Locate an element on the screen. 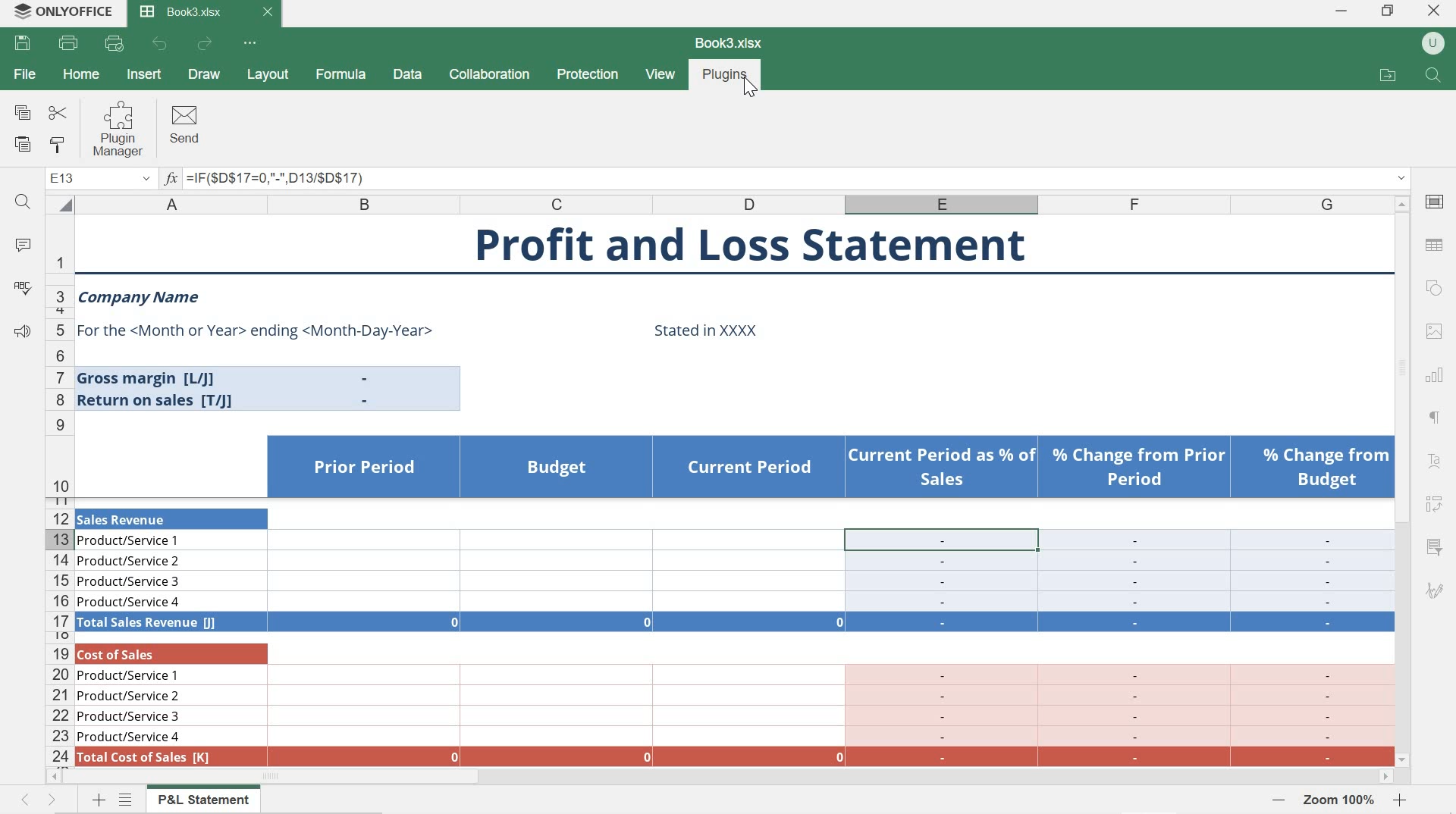  signature is located at coordinates (1433, 593).